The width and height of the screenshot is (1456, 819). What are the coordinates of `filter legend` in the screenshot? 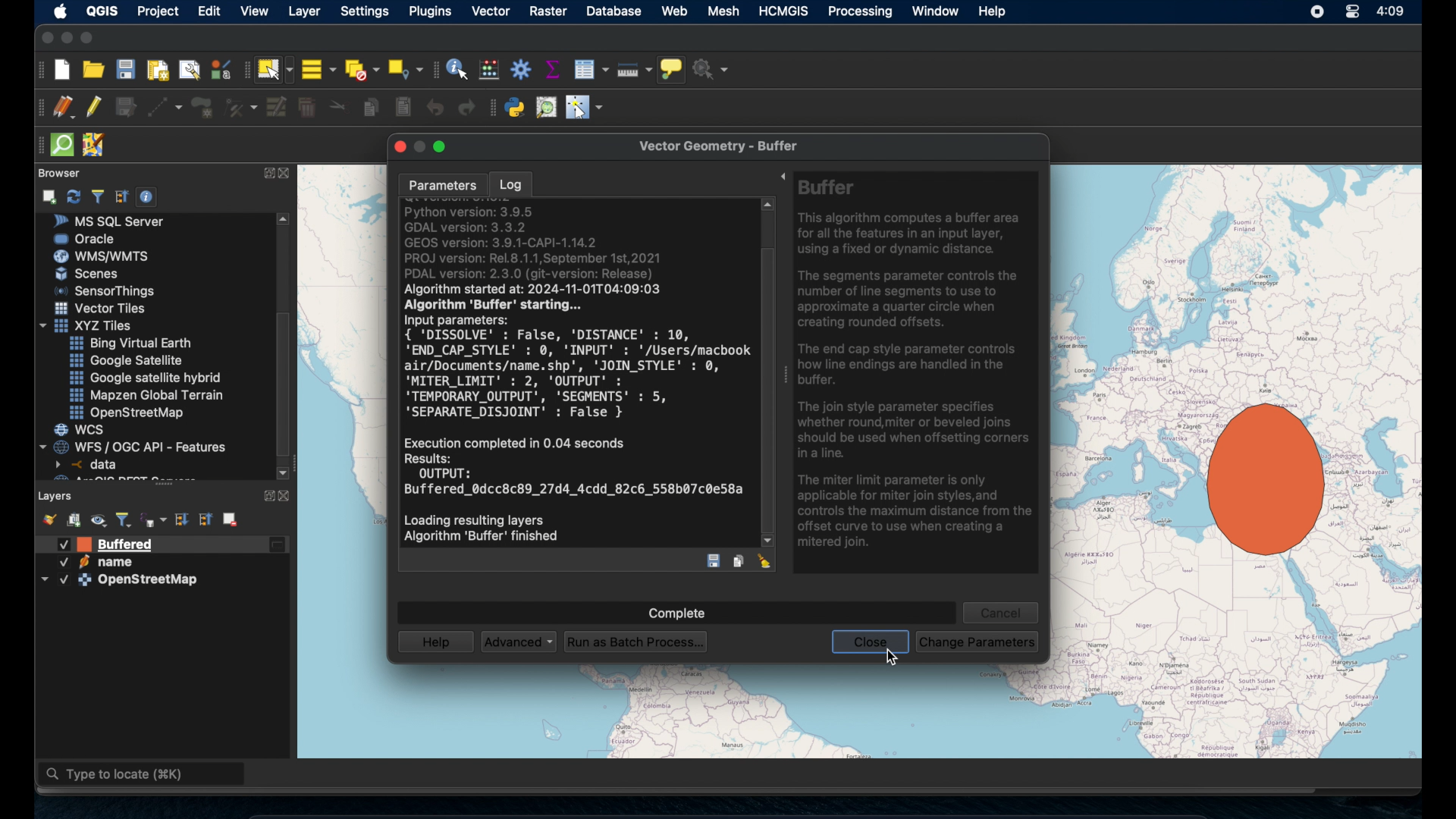 It's located at (124, 518).